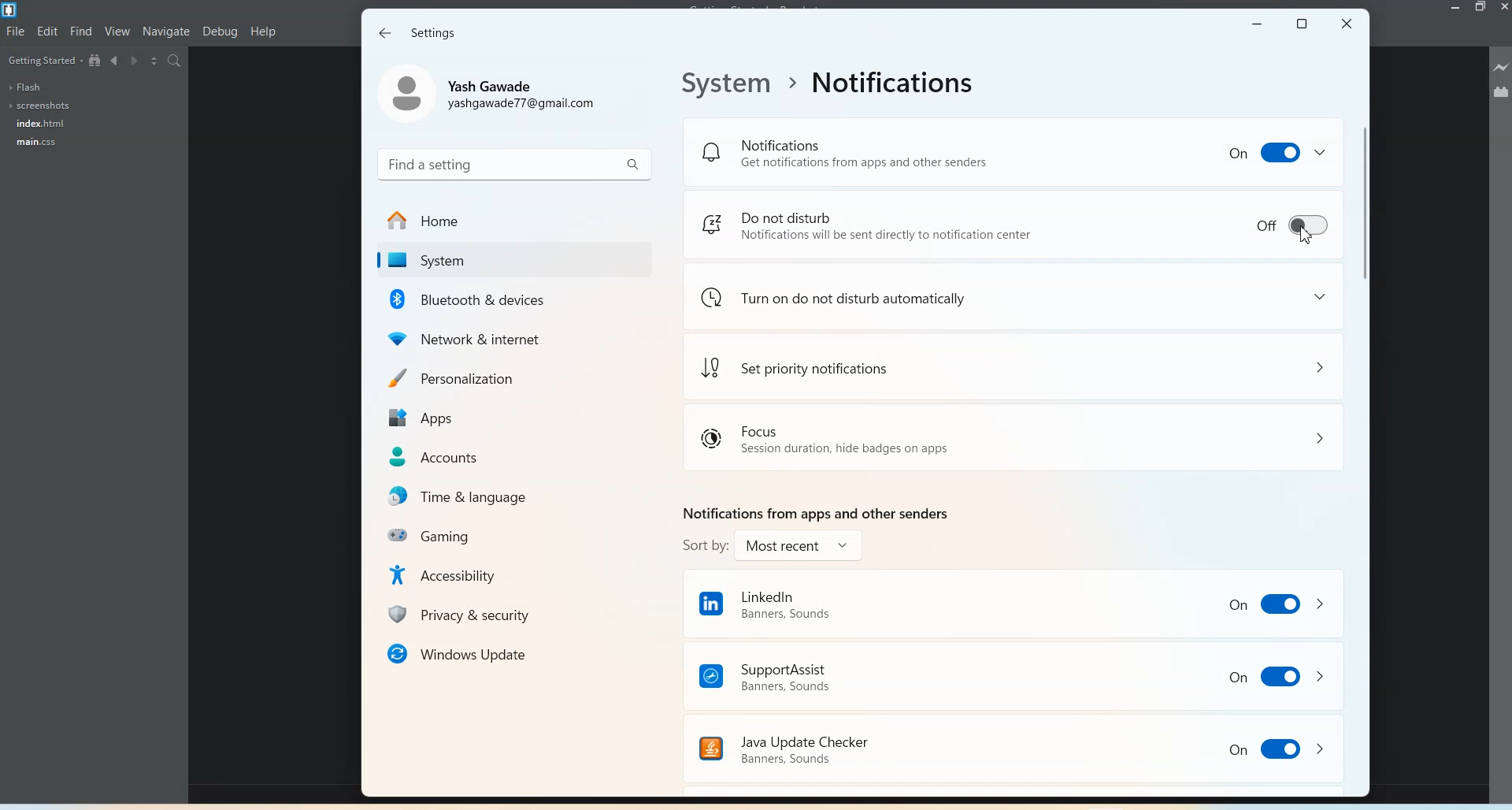  I want to click on Account, so click(492, 95).